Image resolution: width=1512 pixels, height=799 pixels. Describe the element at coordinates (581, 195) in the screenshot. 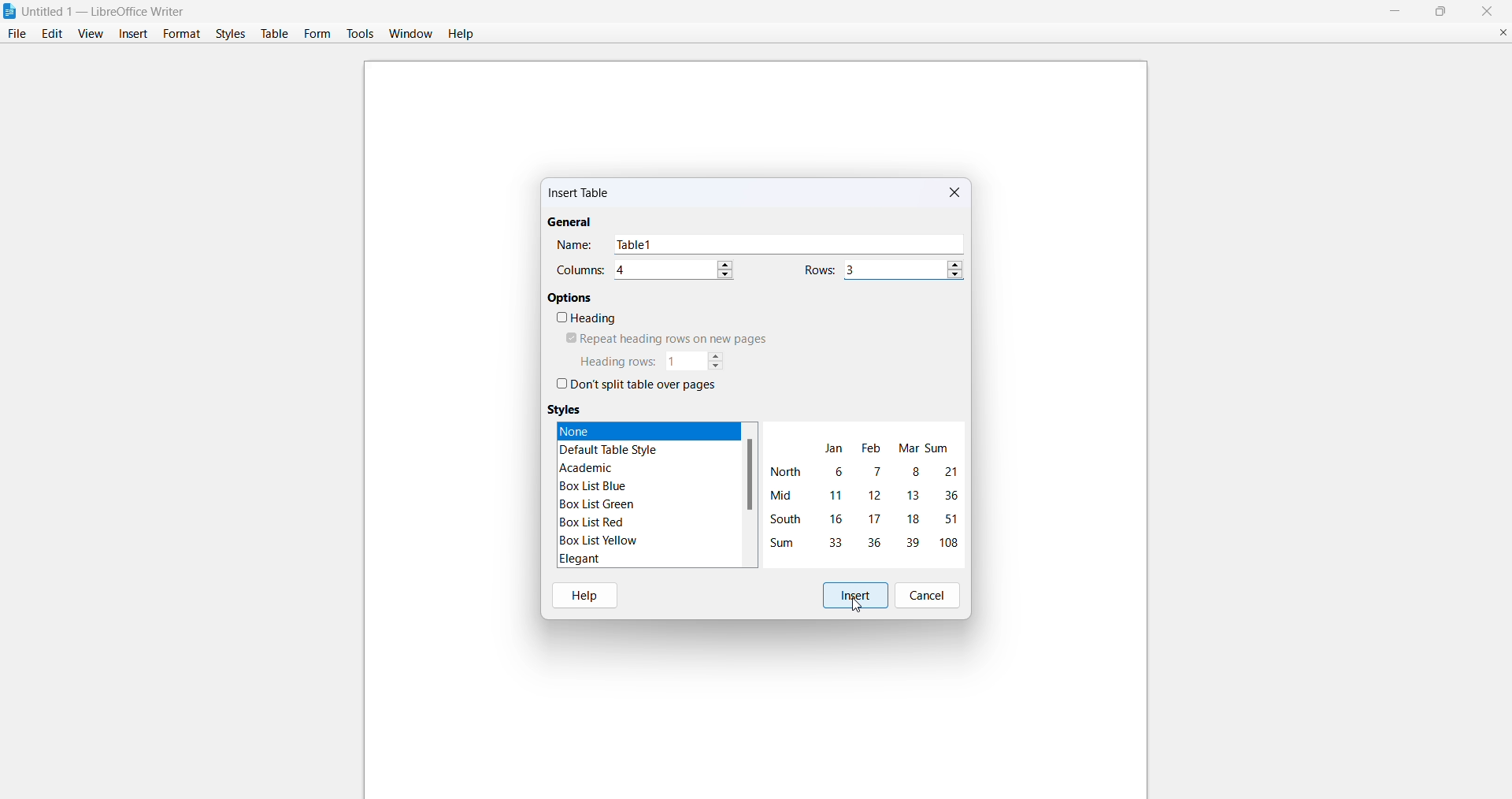

I see `insert table` at that location.